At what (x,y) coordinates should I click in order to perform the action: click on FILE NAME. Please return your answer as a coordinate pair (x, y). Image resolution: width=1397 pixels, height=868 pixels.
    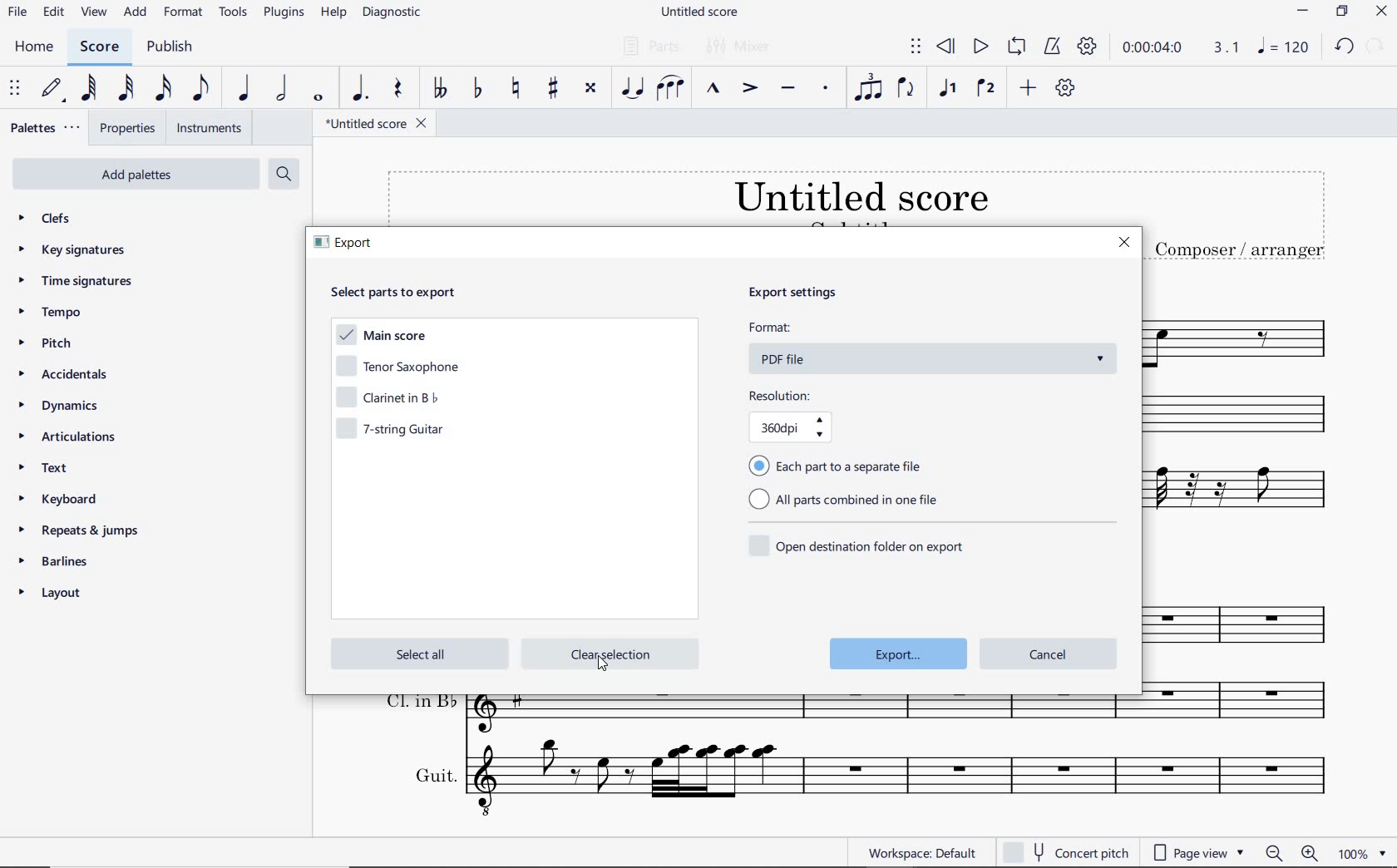
    Looking at the image, I should click on (376, 126).